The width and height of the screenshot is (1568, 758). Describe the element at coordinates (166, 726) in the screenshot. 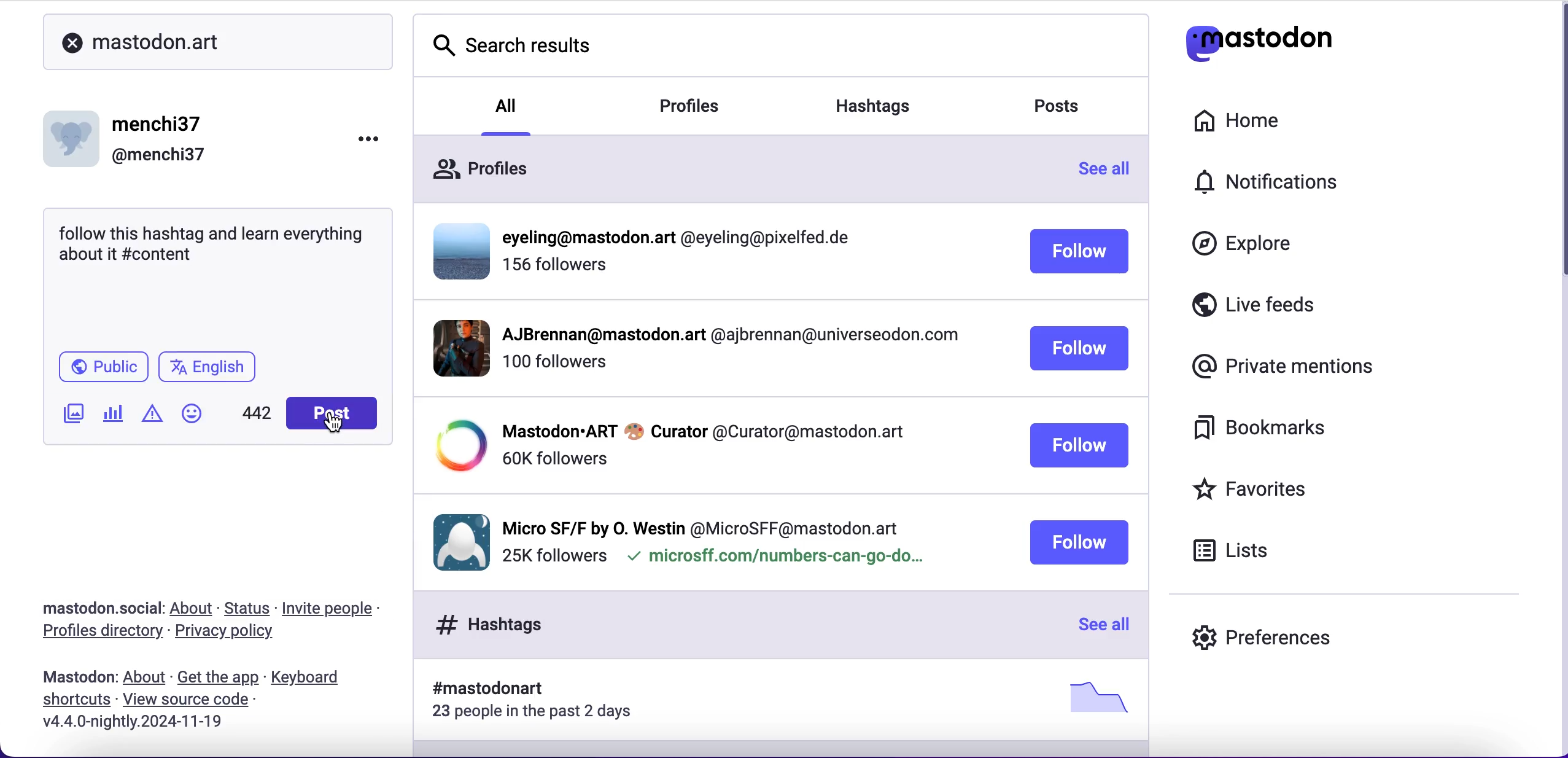

I see `2024-11-19` at that location.